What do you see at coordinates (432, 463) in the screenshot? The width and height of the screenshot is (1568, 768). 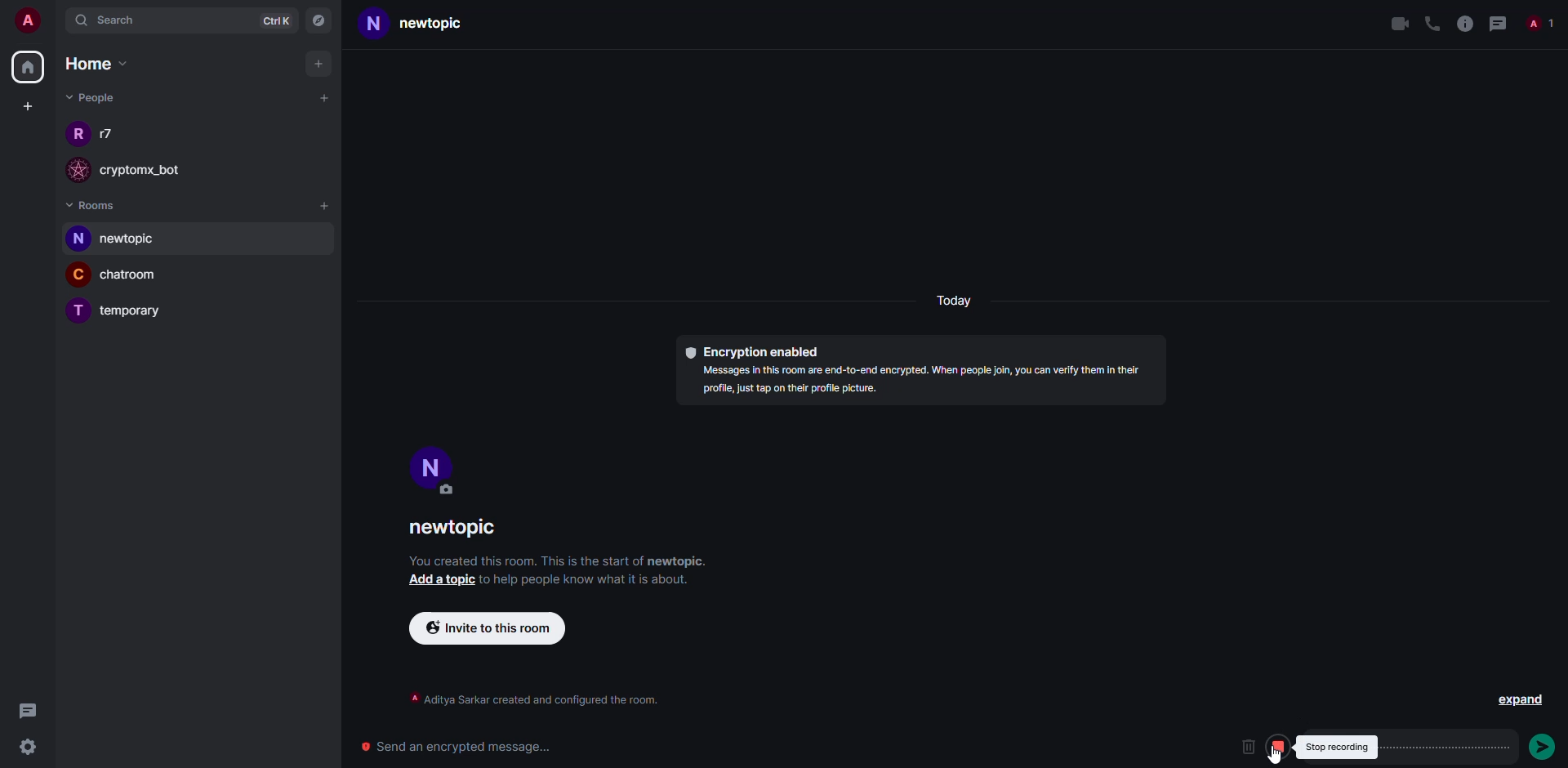 I see `profile` at bounding box center [432, 463].